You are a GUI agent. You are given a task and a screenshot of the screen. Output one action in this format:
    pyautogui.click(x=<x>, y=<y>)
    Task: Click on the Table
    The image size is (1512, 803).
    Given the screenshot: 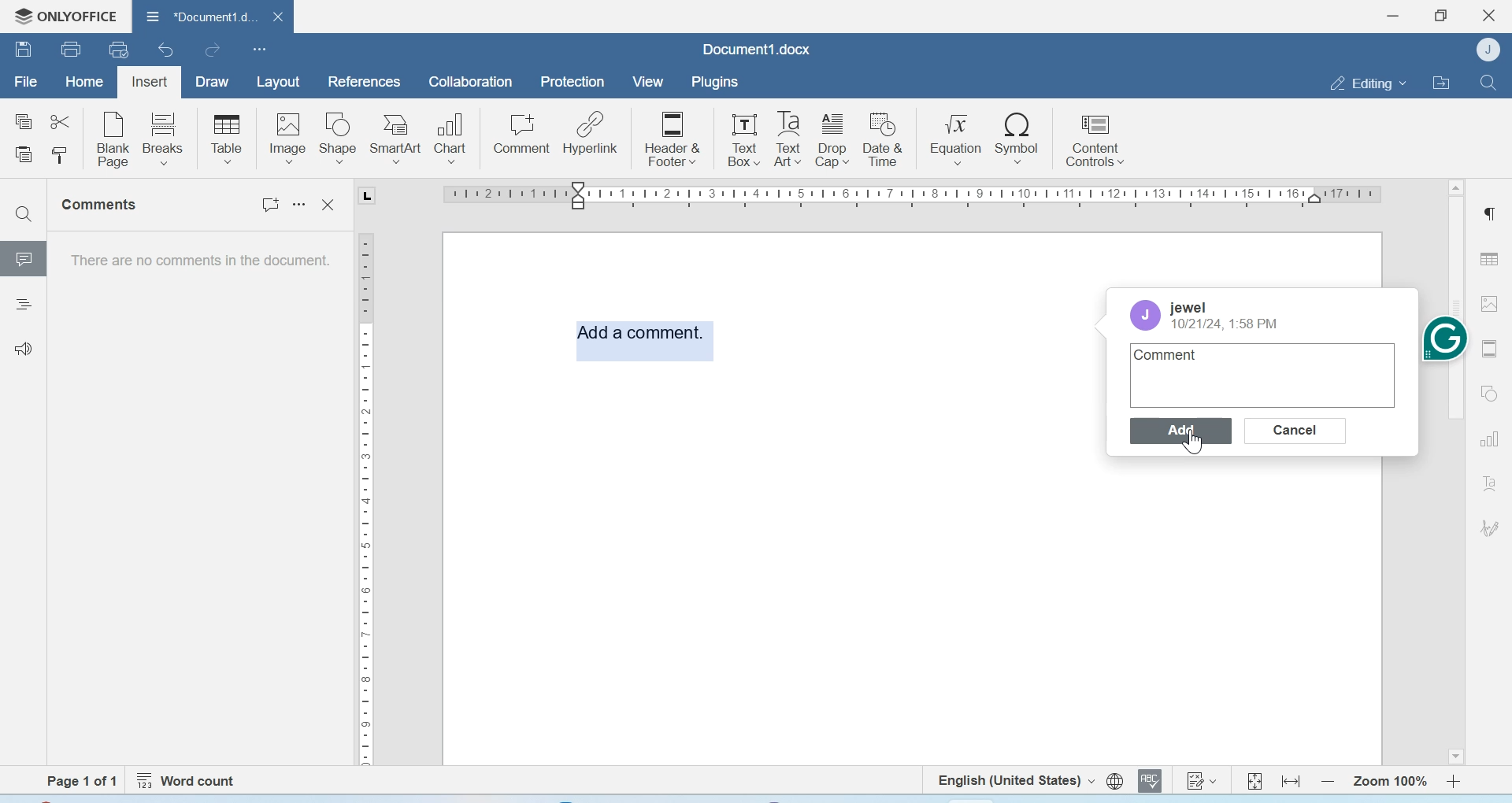 What is the action you would take?
    pyautogui.click(x=227, y=139)
    